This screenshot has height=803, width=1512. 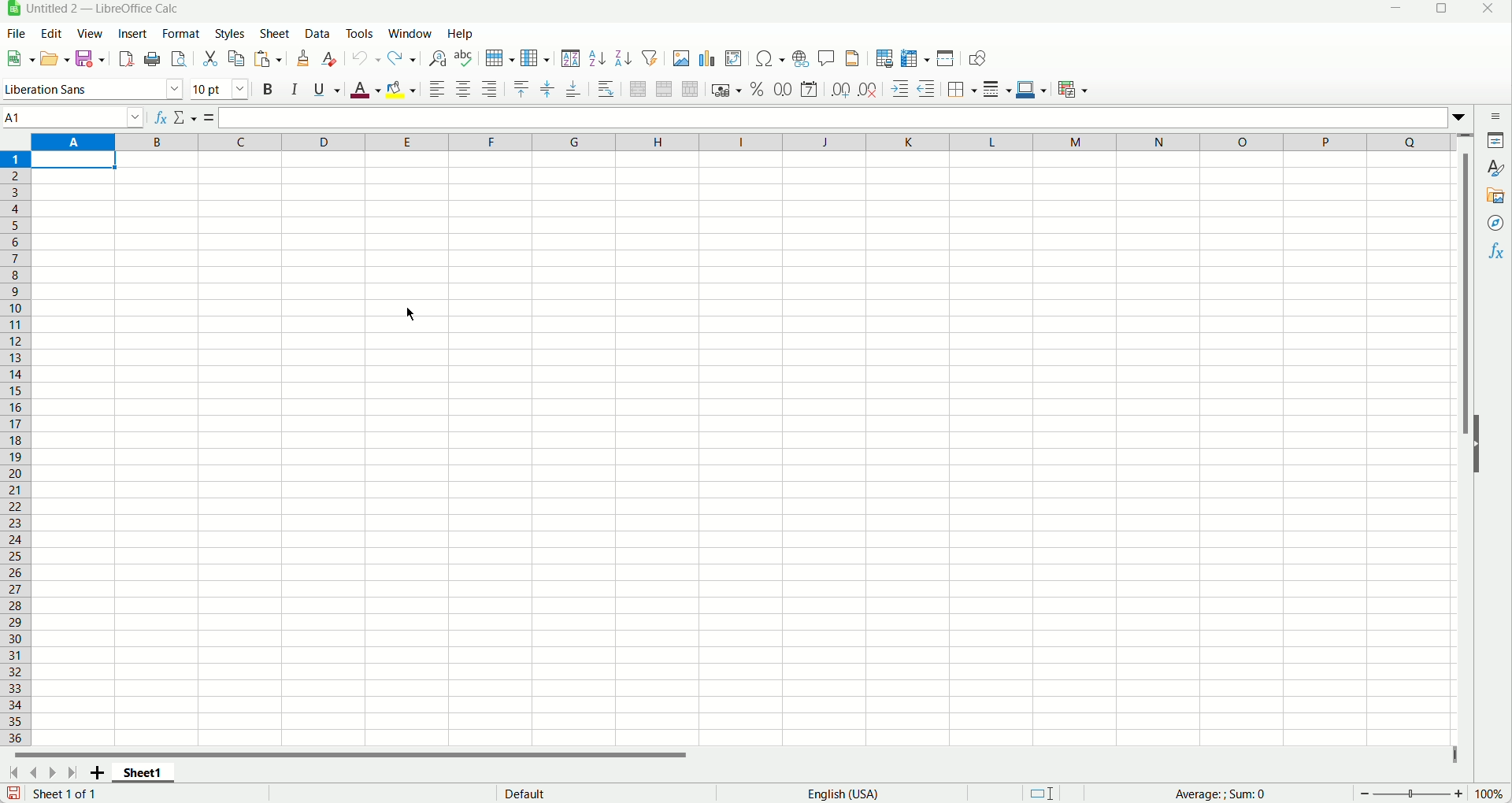 I want to click on Propertes, so click(x=1498, y=142).